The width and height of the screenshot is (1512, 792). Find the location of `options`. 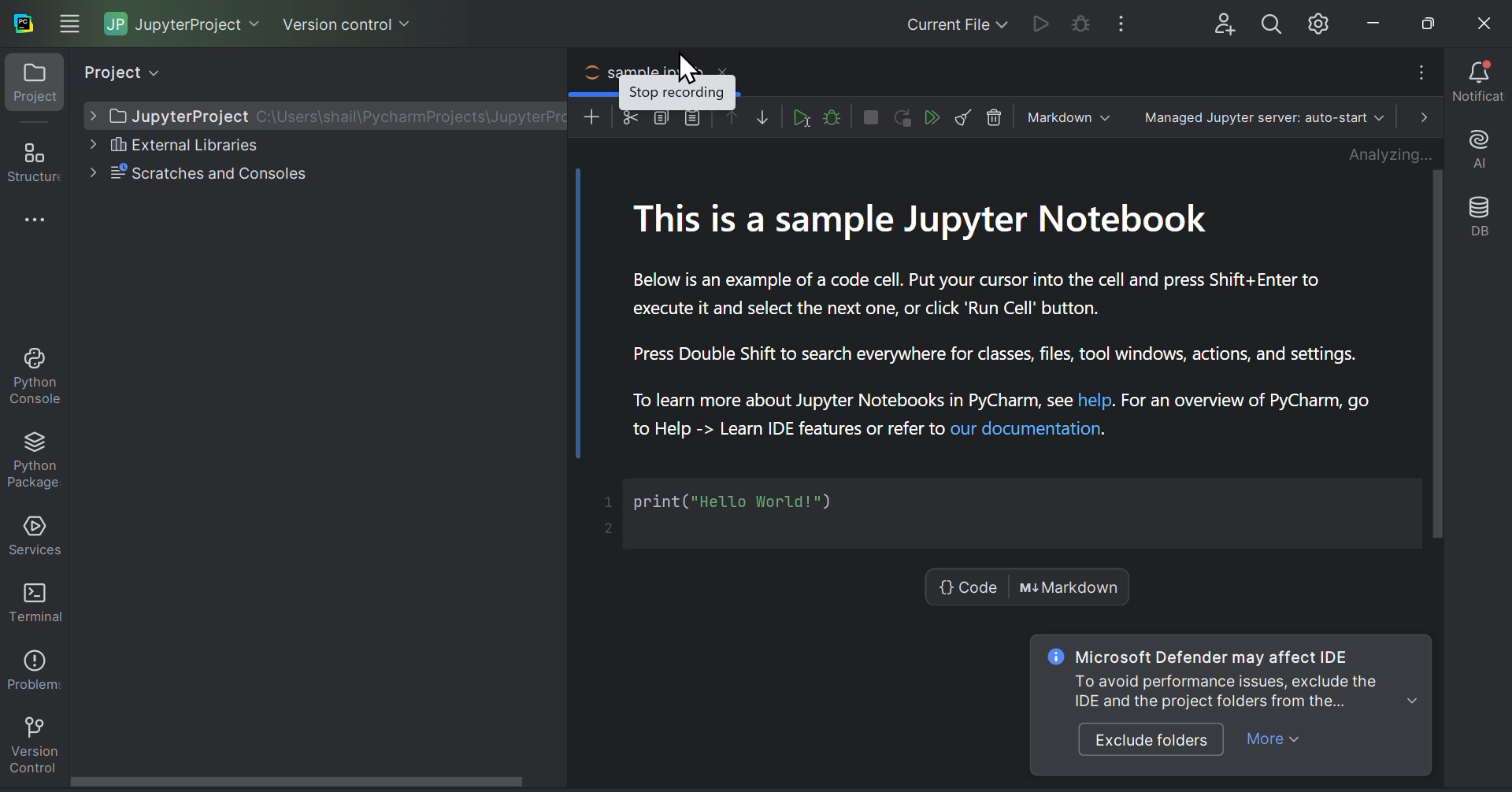

options is located at coordinates (1419, 72).